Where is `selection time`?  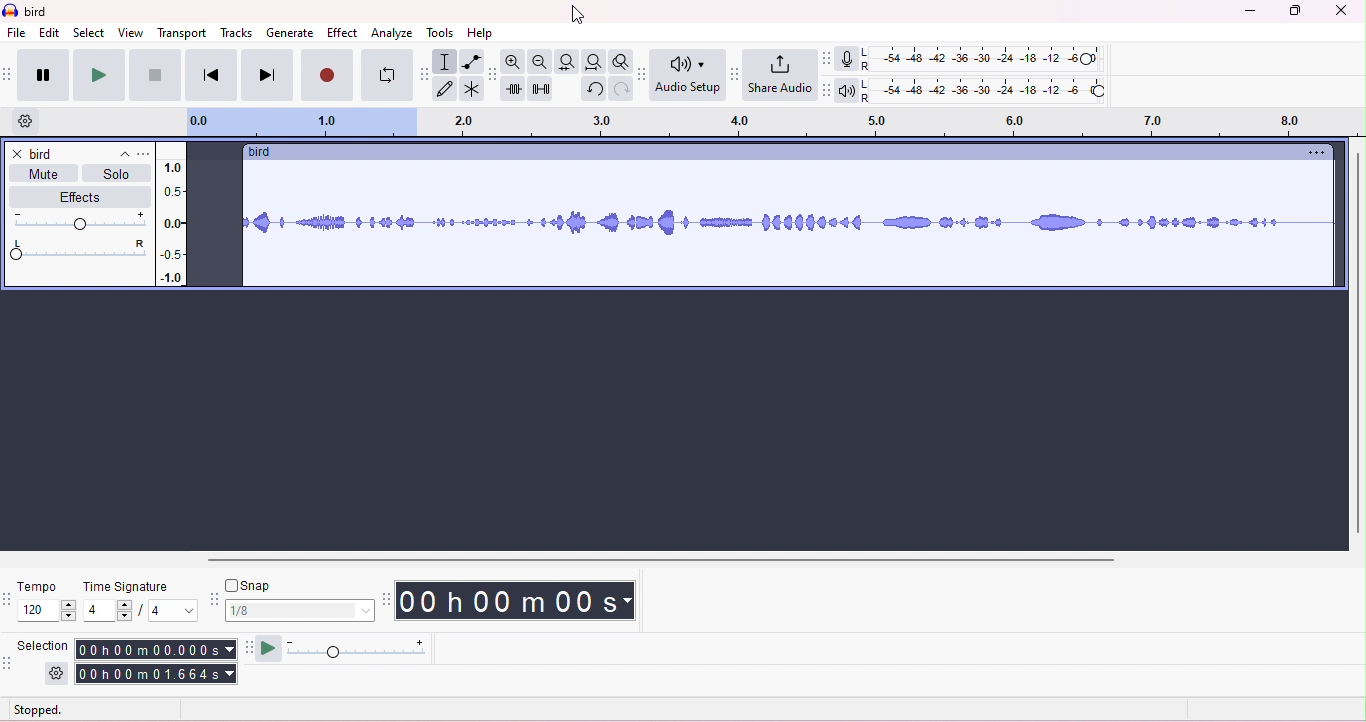 selection time is located at coordinates (154, 649).